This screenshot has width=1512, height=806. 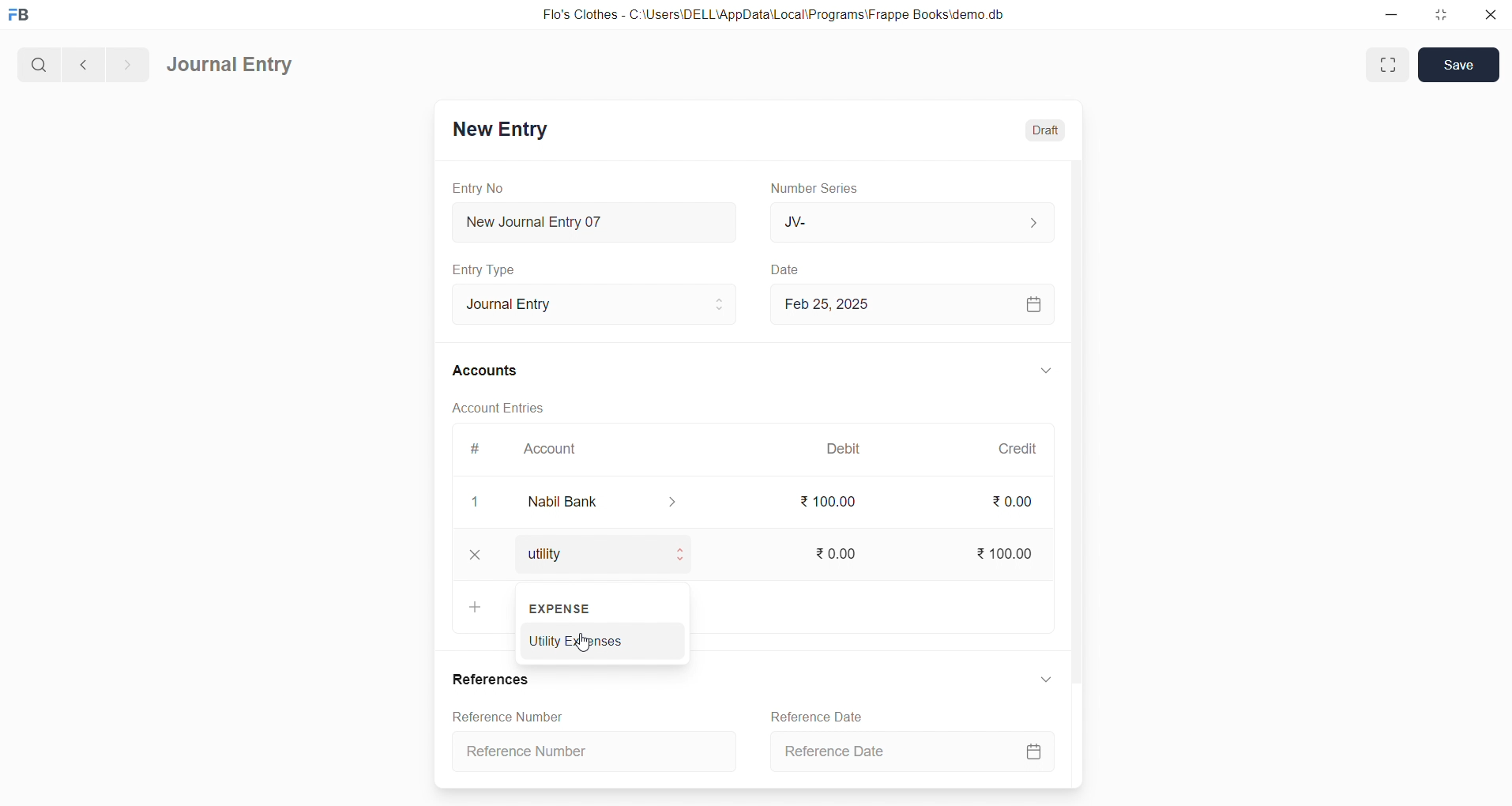 What do you see at coordinates (599, 750) in the screenshot?
I see `Reference Number` at bounding box center [599, 750].